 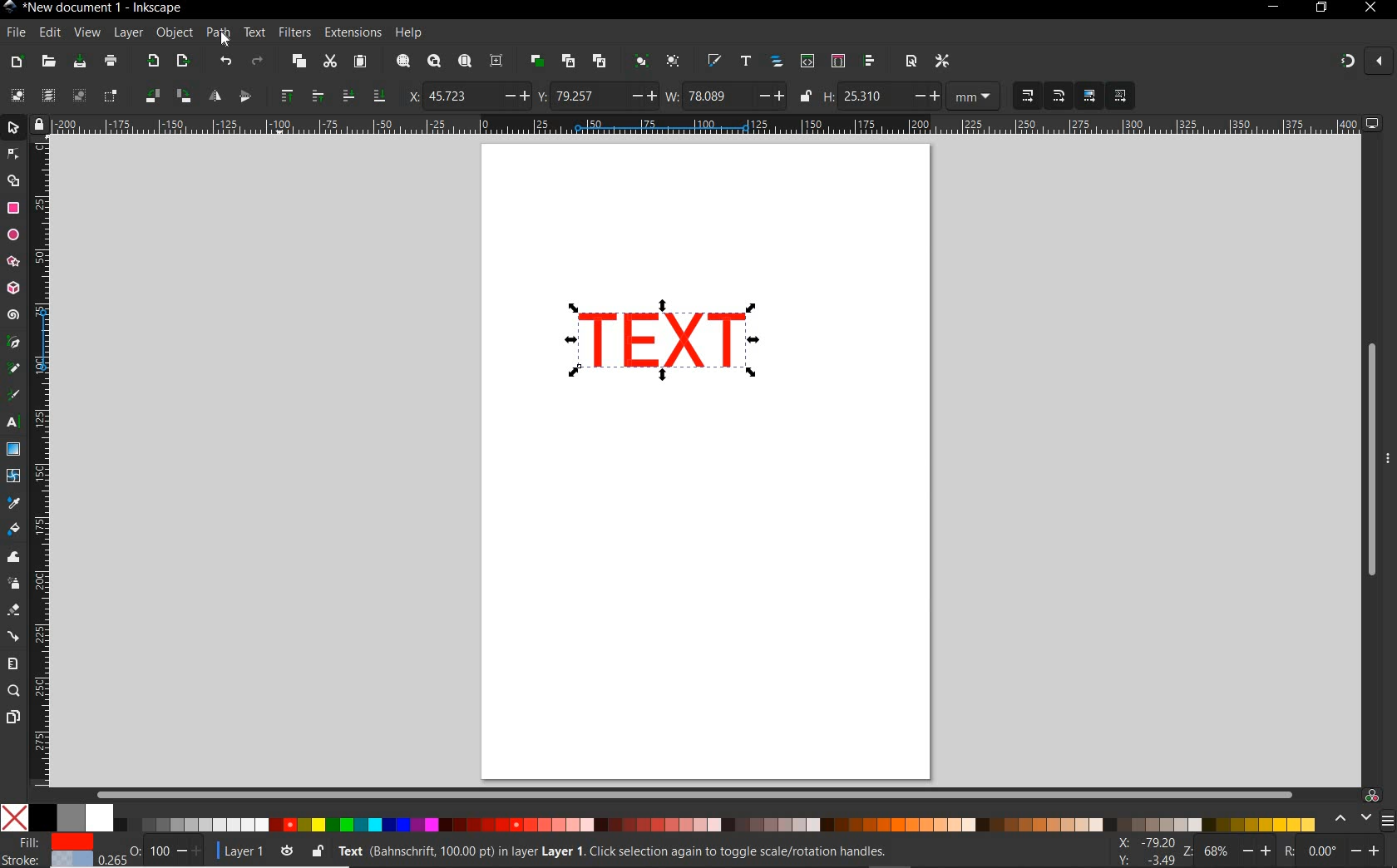 I want to click on CALLIGRAPHY TOOL, so click(x=16, y=397).